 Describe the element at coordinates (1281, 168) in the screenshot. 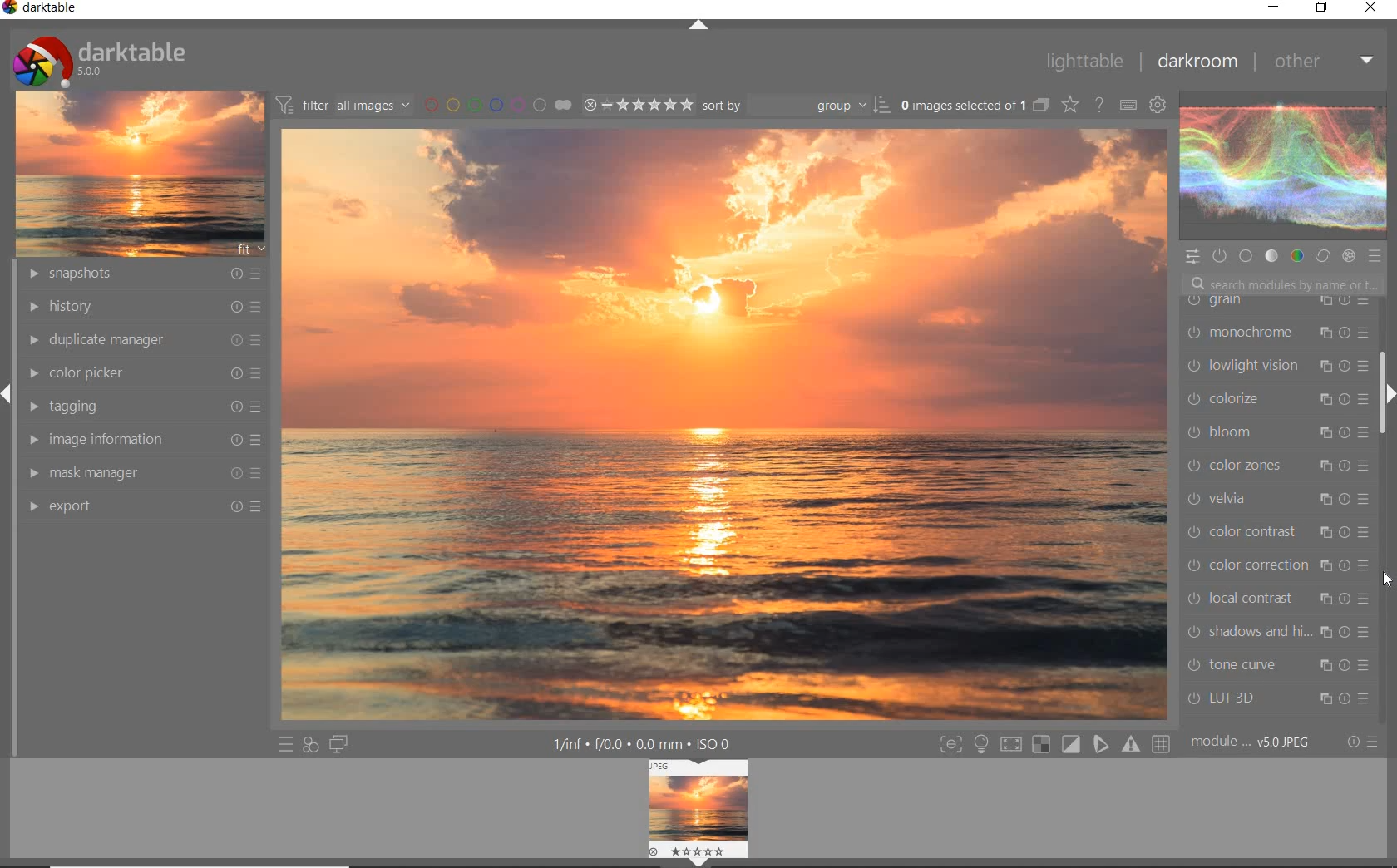

I see `WAVE FORM` at that location.